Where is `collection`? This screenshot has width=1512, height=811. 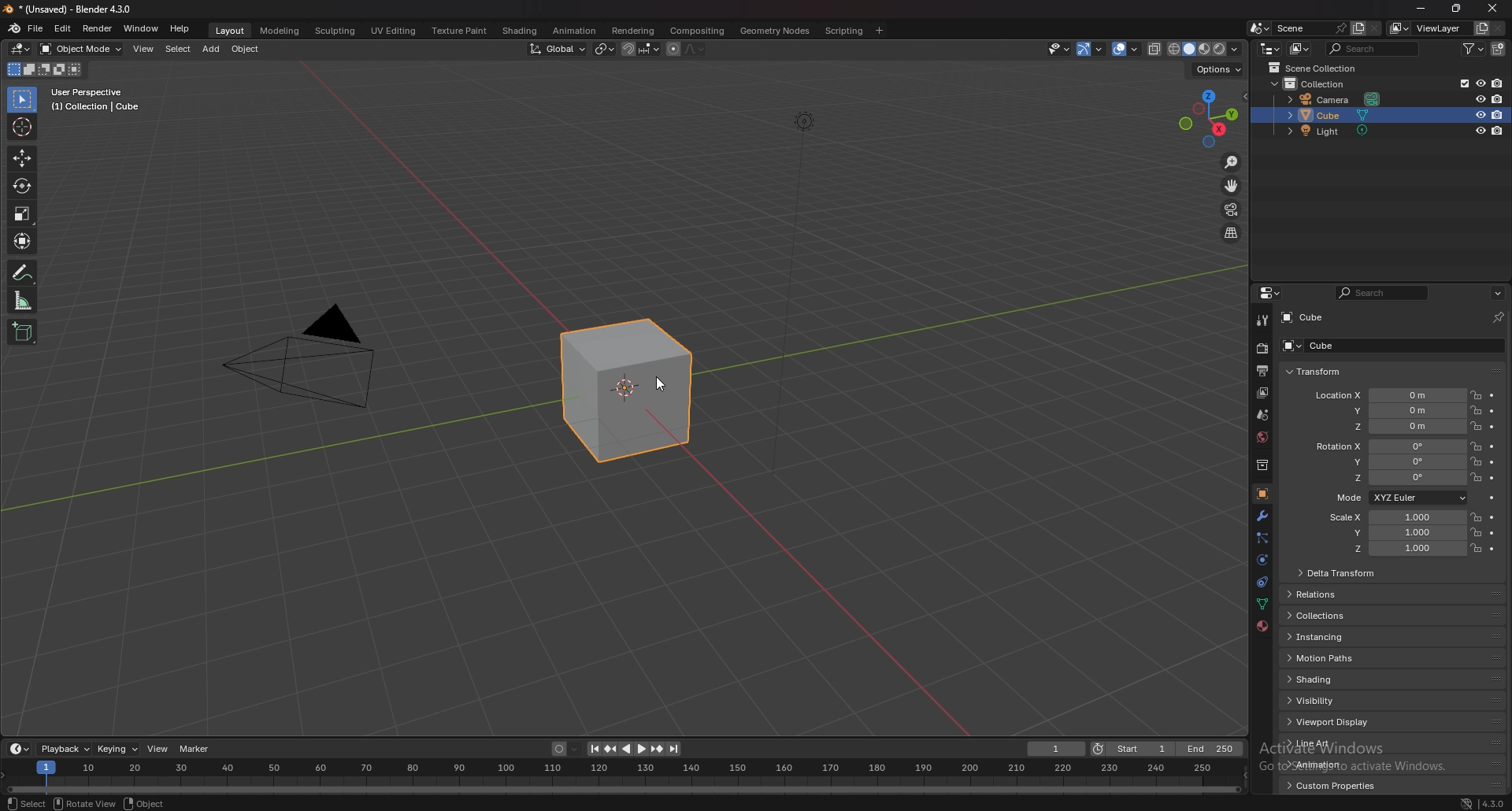
collection is located at coordinates (1259, 465).